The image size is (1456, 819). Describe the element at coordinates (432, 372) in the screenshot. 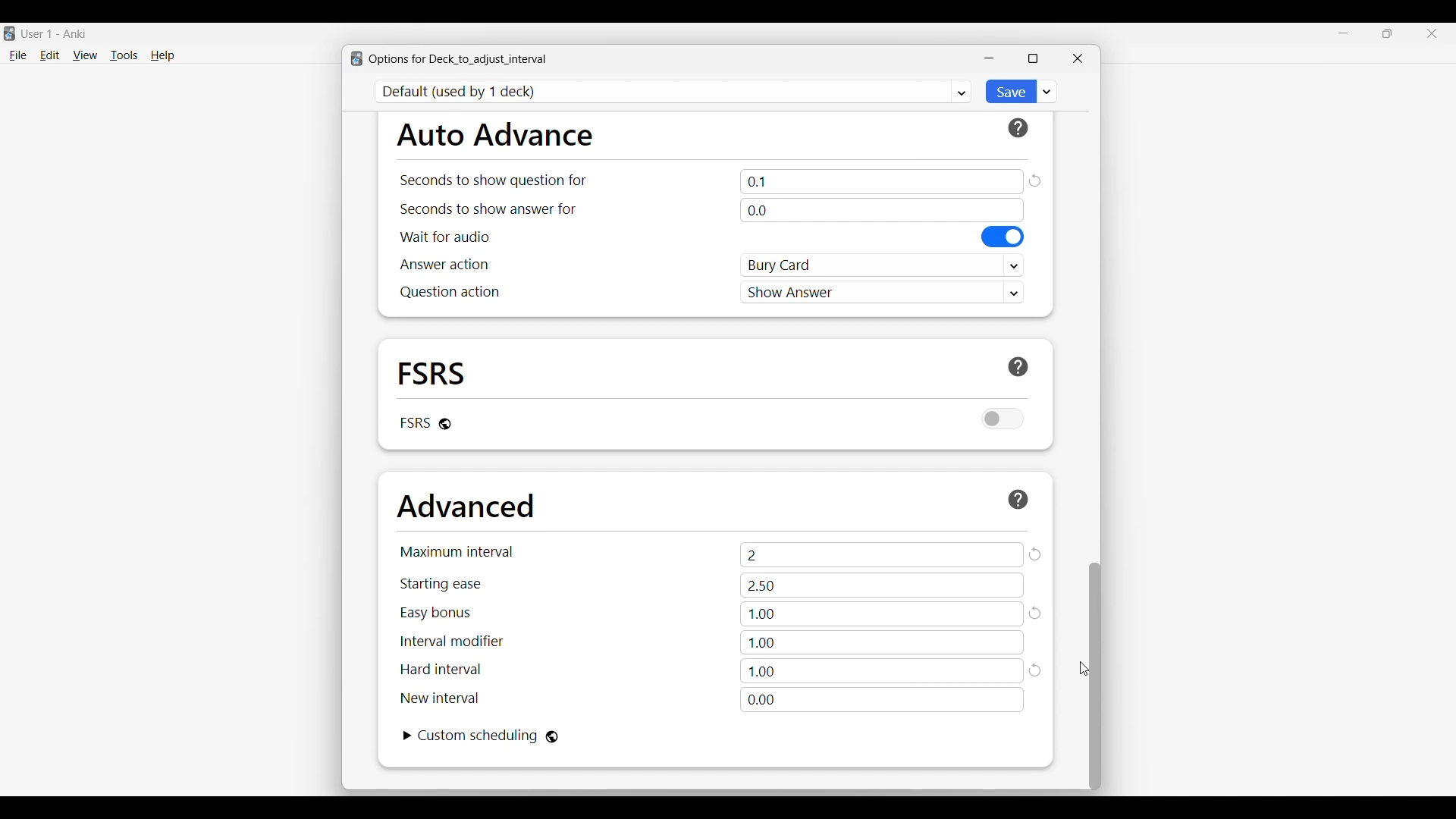

I see `FSRS` at that location.